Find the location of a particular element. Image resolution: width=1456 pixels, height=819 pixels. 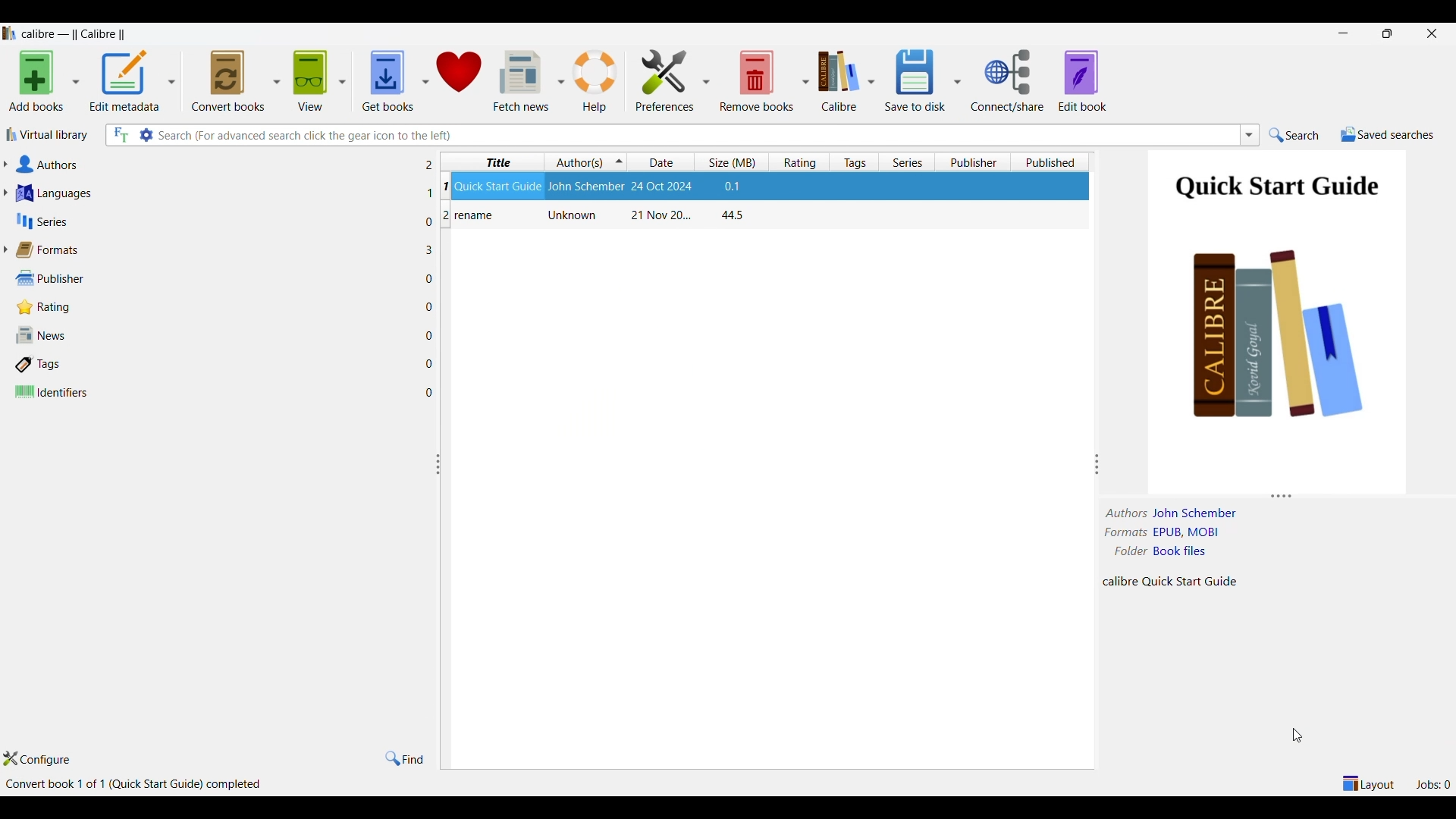

View options is located at coordinates (341, 81).